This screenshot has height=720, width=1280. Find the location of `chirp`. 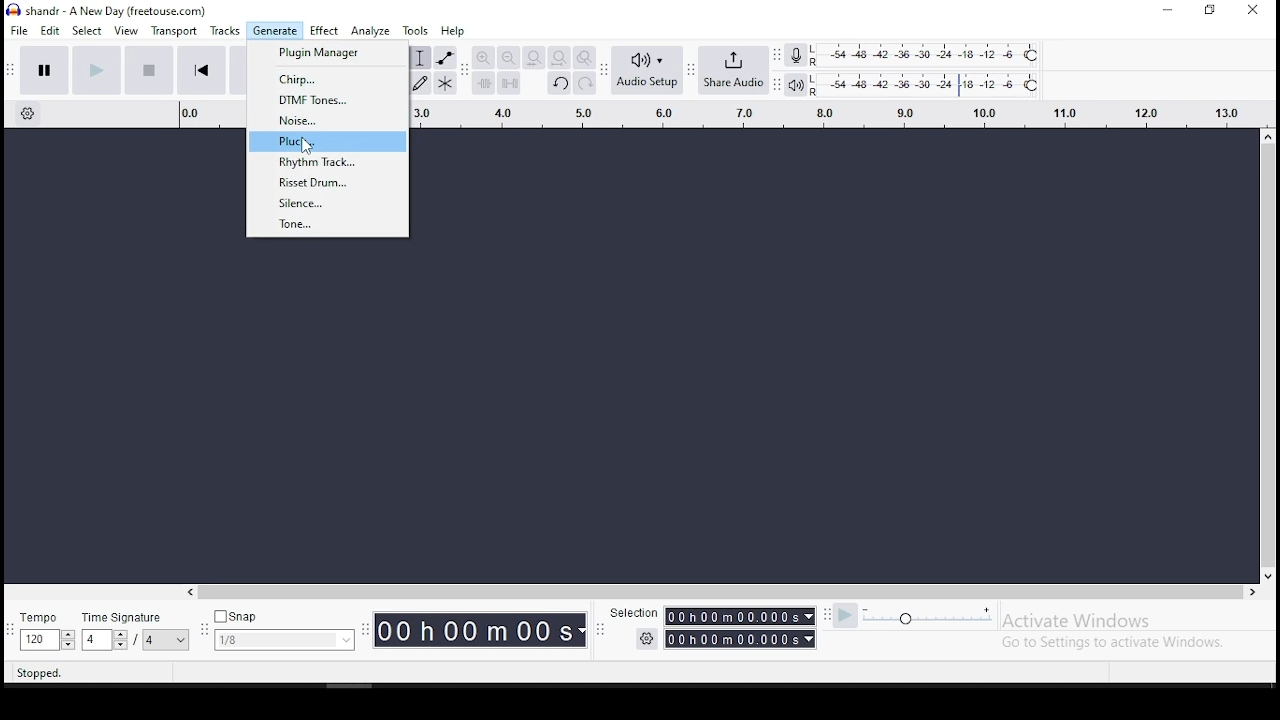

chirp is located at coordinates (328, 78).